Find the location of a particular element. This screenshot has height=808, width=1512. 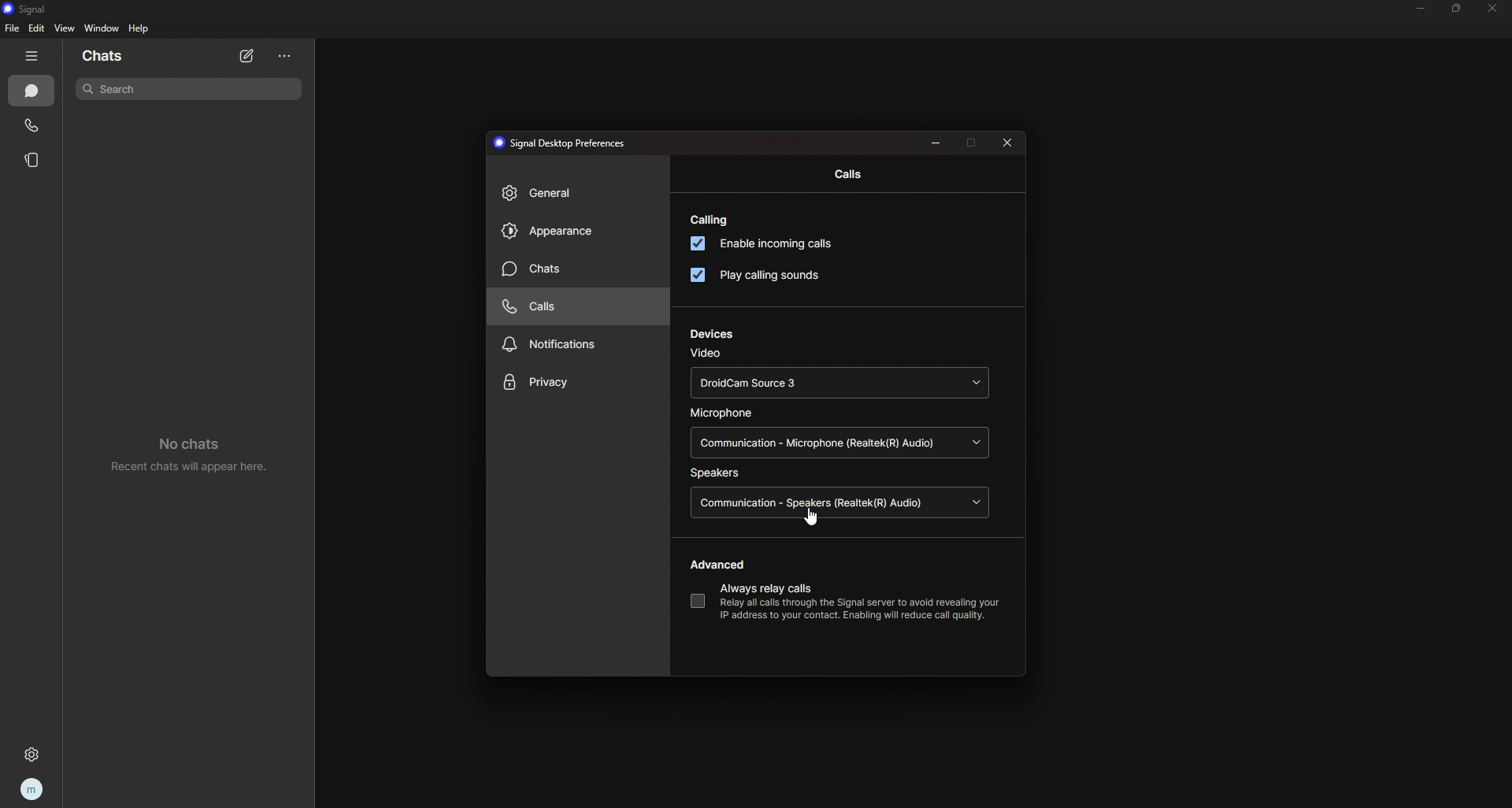

search is located at coordinates (191, 88).